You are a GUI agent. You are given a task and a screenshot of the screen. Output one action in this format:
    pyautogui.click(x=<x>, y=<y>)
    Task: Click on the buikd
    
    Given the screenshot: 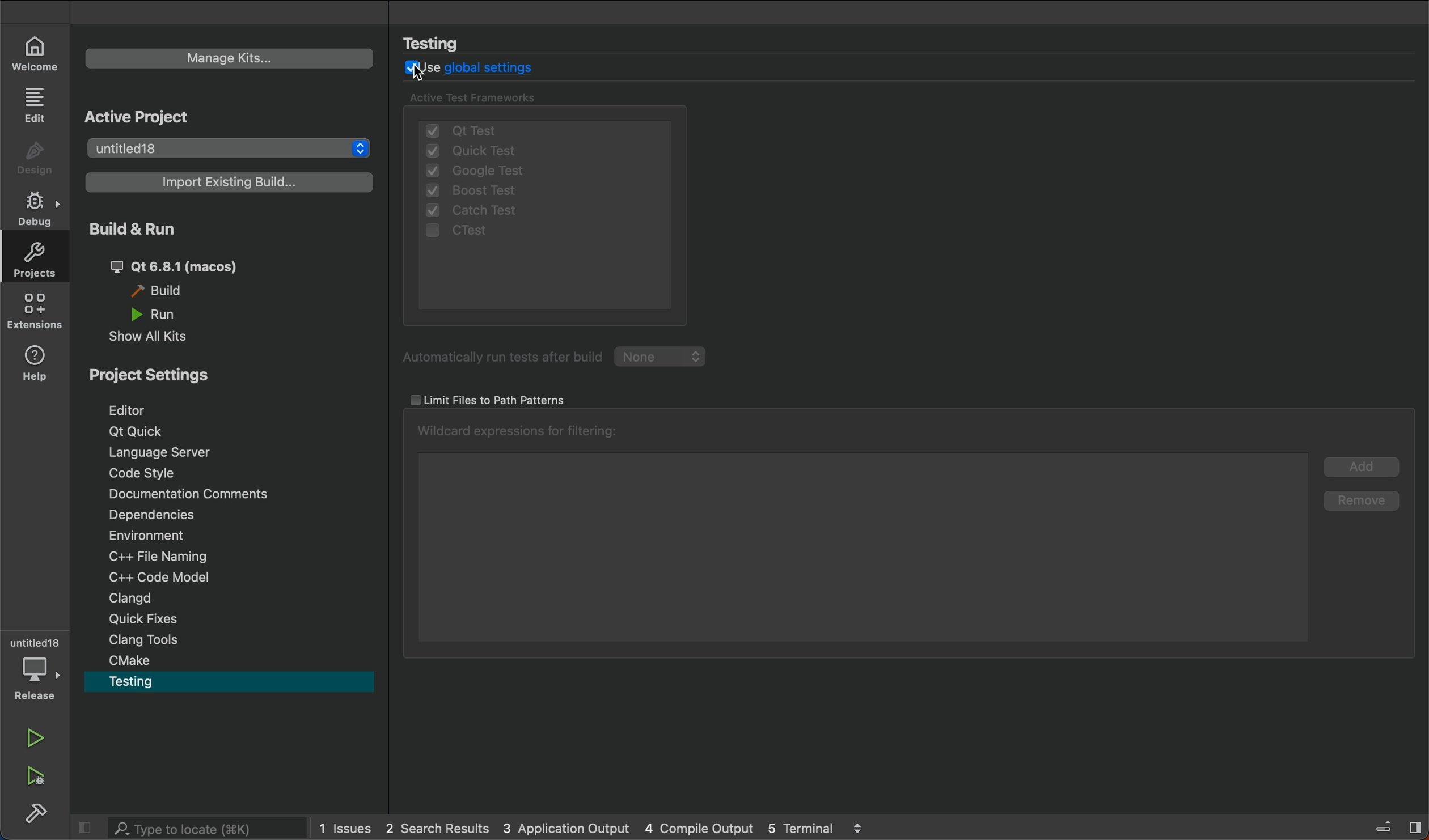 What is the action you would take?
    pyautogui.click(x=32, y=813)
    